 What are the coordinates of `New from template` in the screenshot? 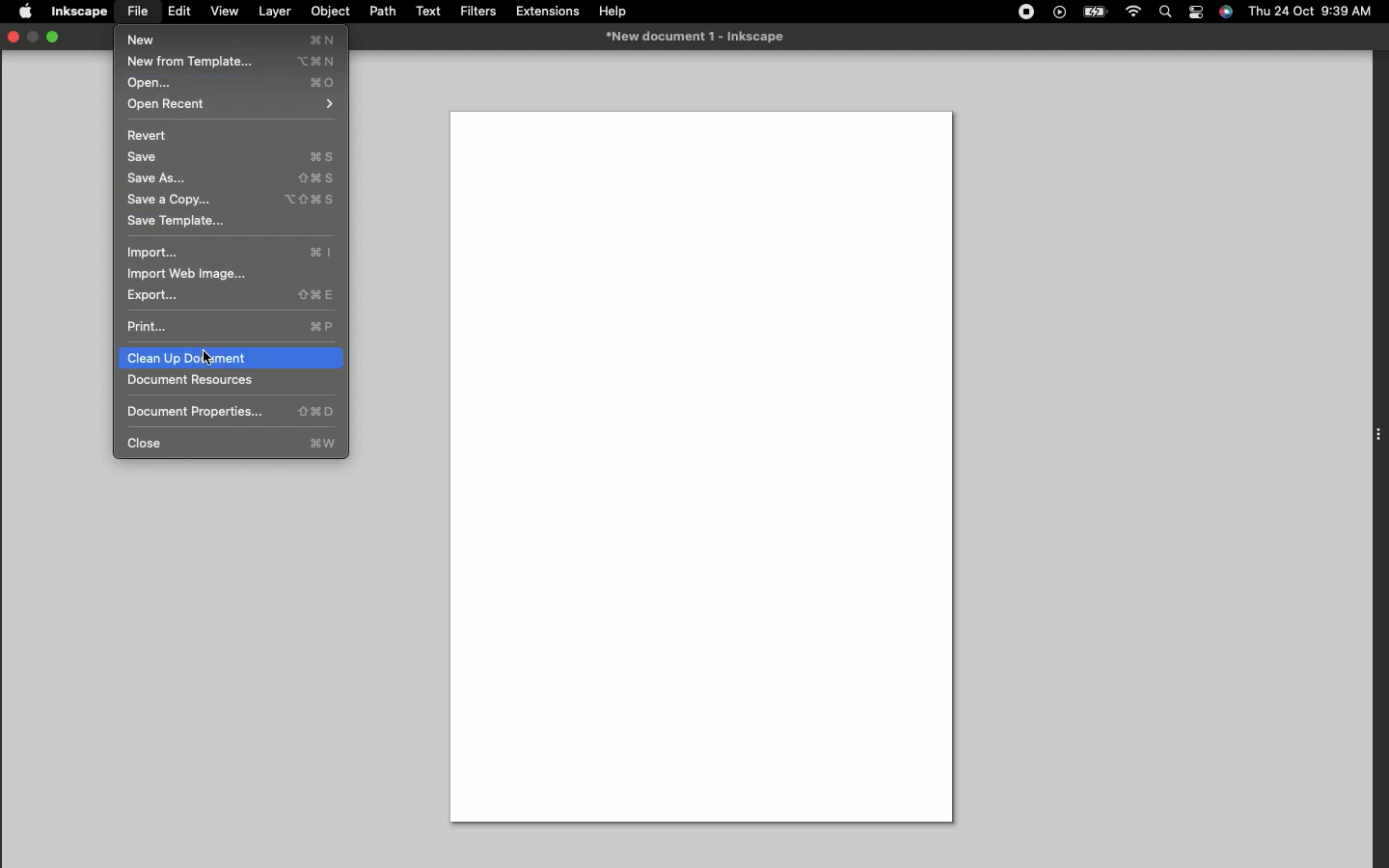 It's located at (231, 62).